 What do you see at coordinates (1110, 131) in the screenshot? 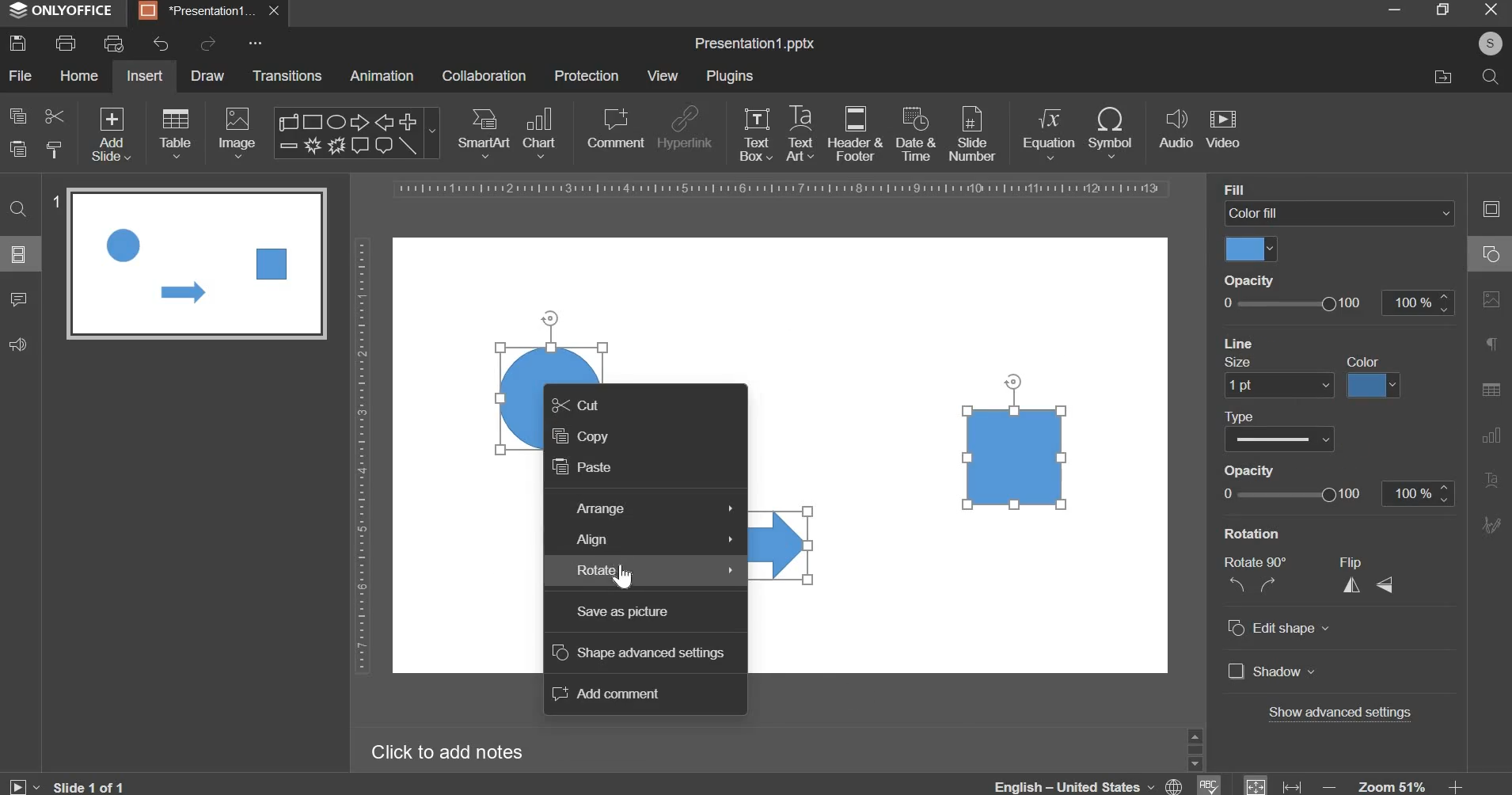
I see `symbol` at bounding box center [1110, 131].